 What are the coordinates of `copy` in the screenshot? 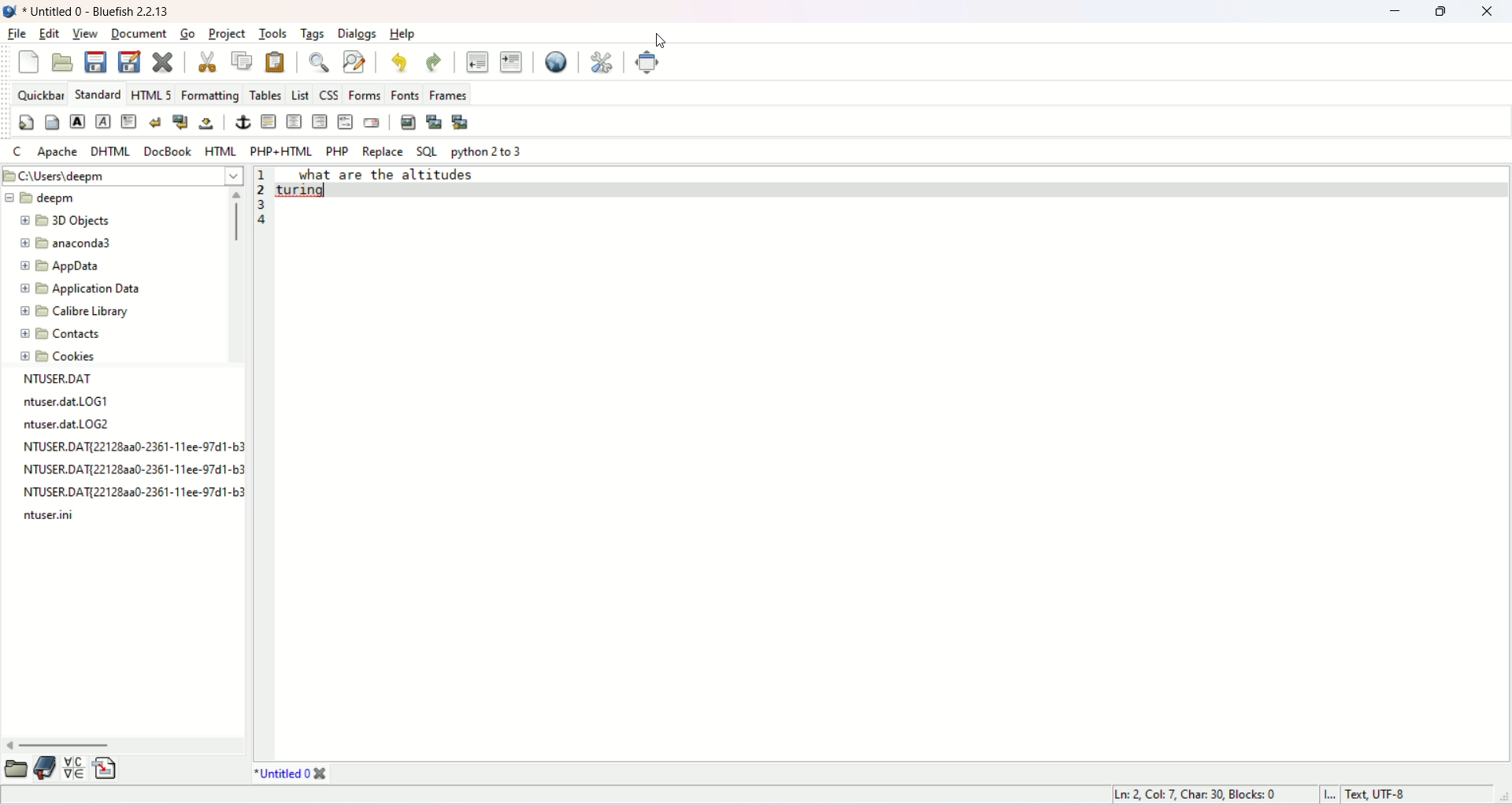 It's located at (241, 61).